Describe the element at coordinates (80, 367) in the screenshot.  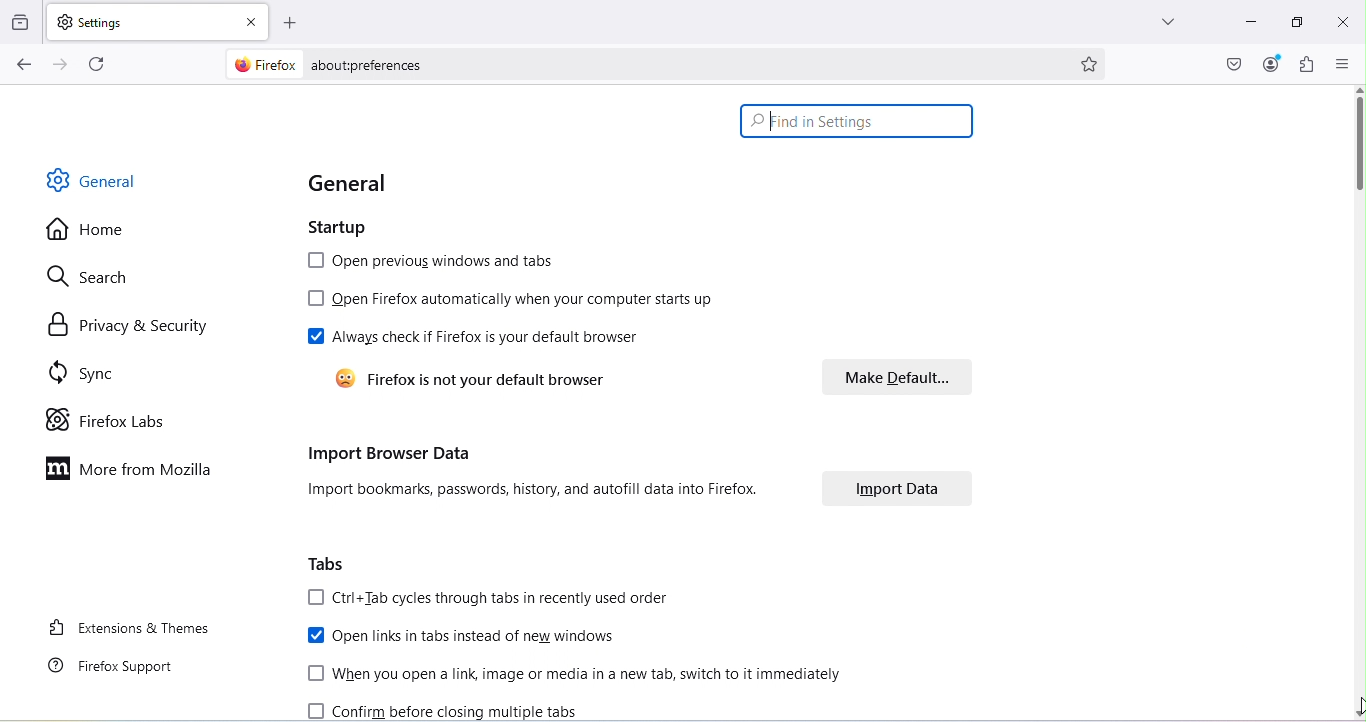
I see `Sync` at that location.